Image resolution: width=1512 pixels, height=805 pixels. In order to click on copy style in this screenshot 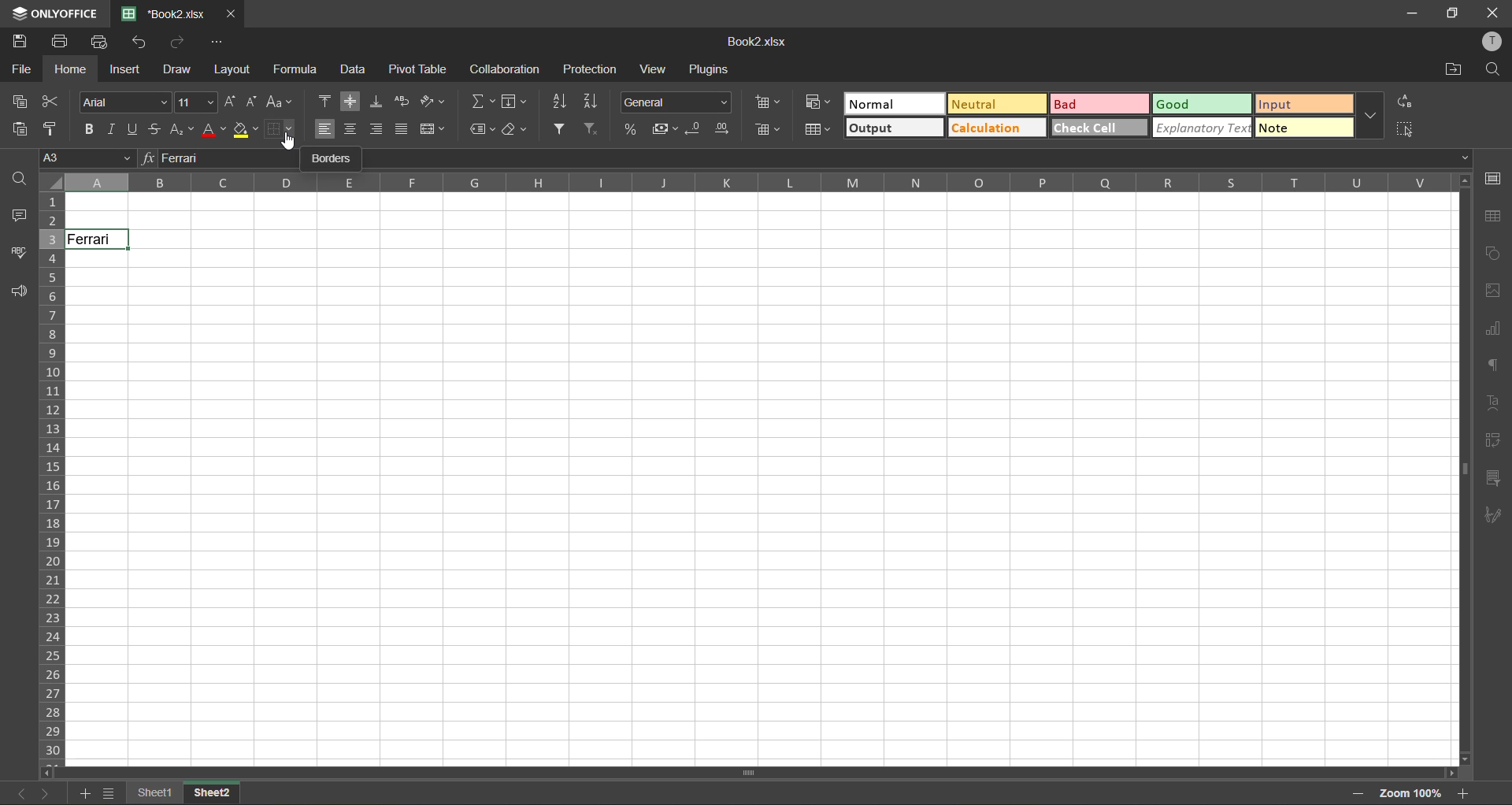, I will do `click(53, 130)`.